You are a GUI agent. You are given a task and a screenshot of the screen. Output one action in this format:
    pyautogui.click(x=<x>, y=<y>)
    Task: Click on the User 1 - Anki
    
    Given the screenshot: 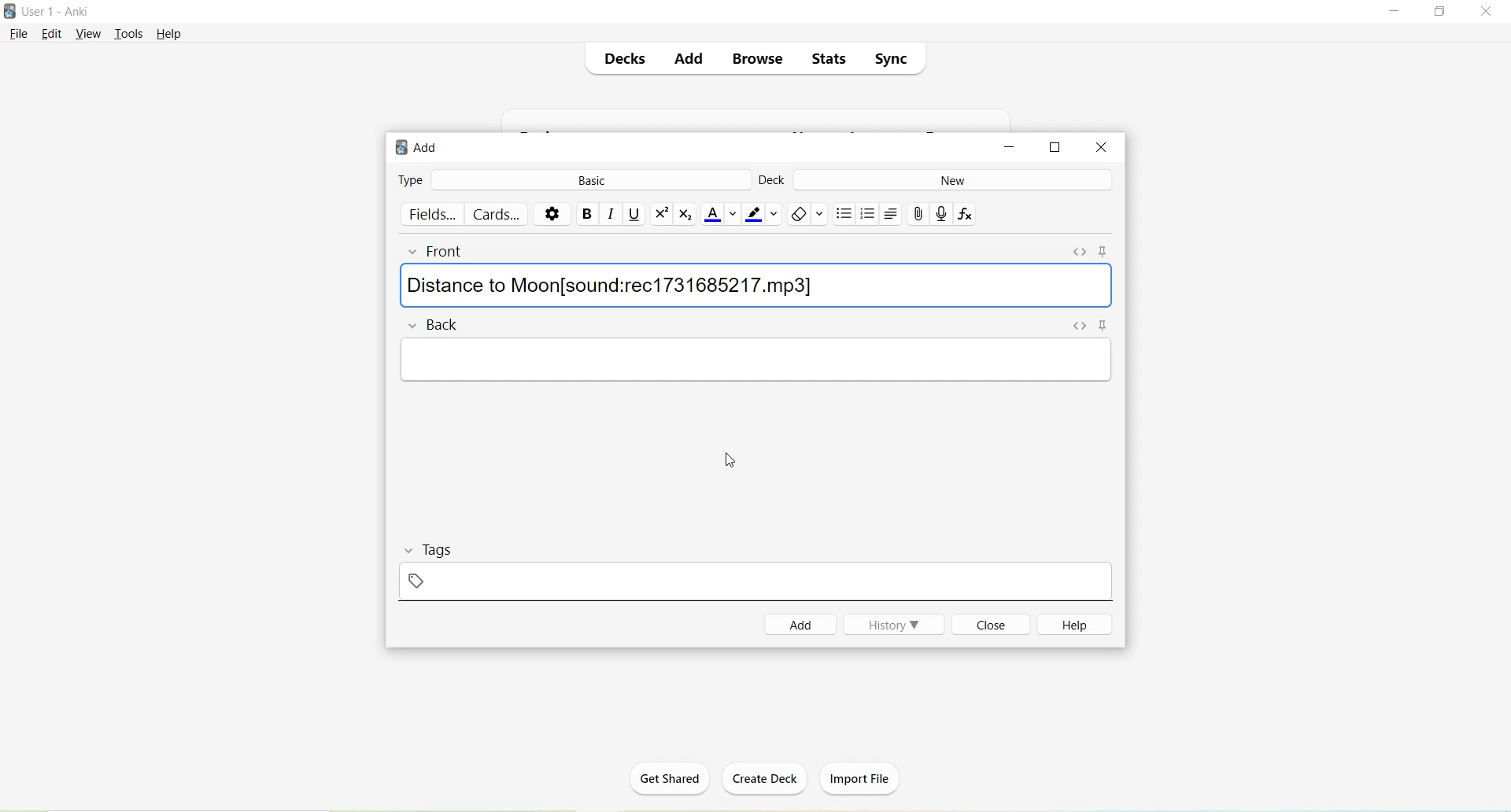 What is the action you would take?
    pyautogui.click(x=57, y=11)
    